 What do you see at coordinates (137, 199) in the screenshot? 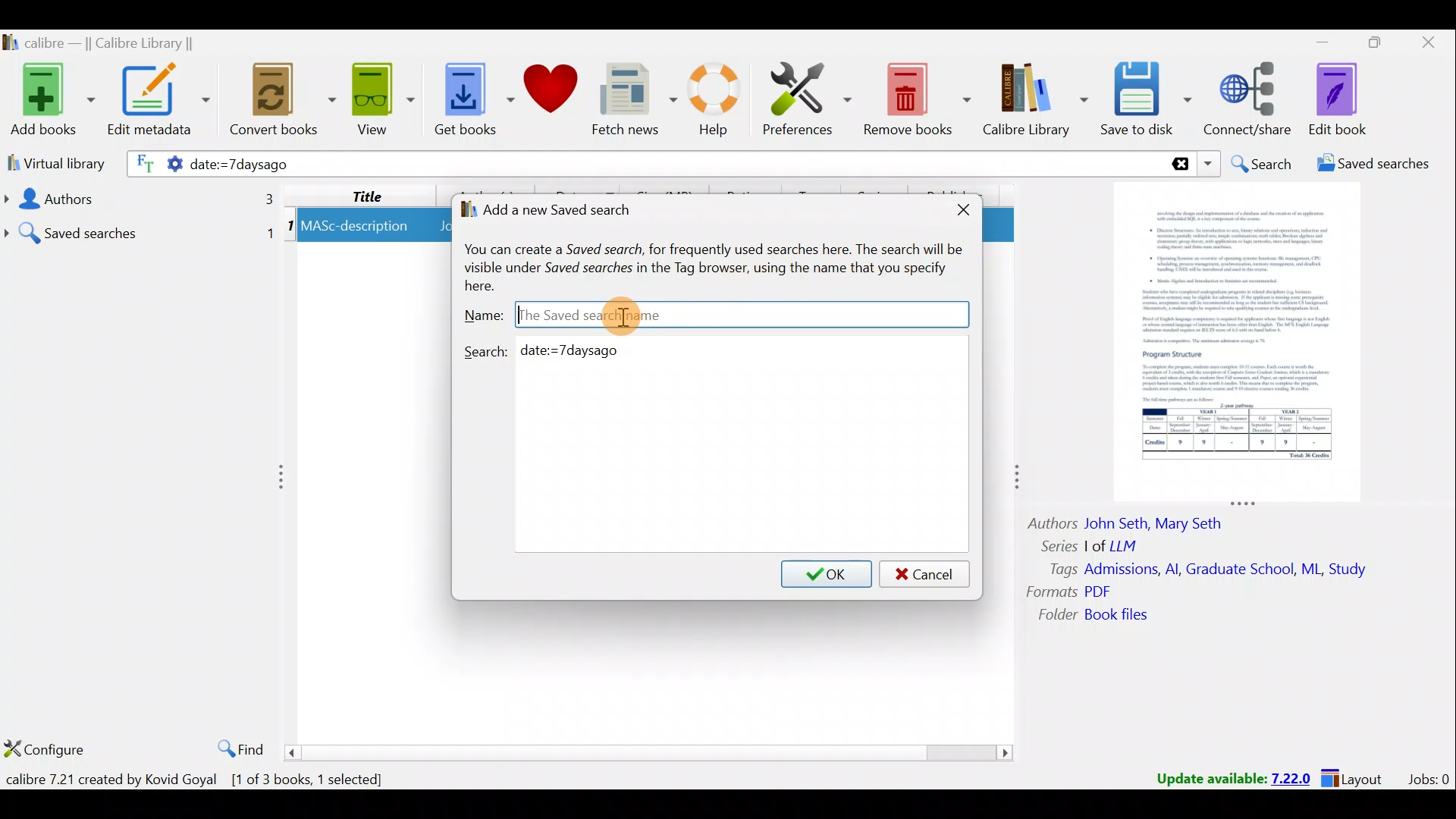
I see `Authors` at bounding box center [137, 199].